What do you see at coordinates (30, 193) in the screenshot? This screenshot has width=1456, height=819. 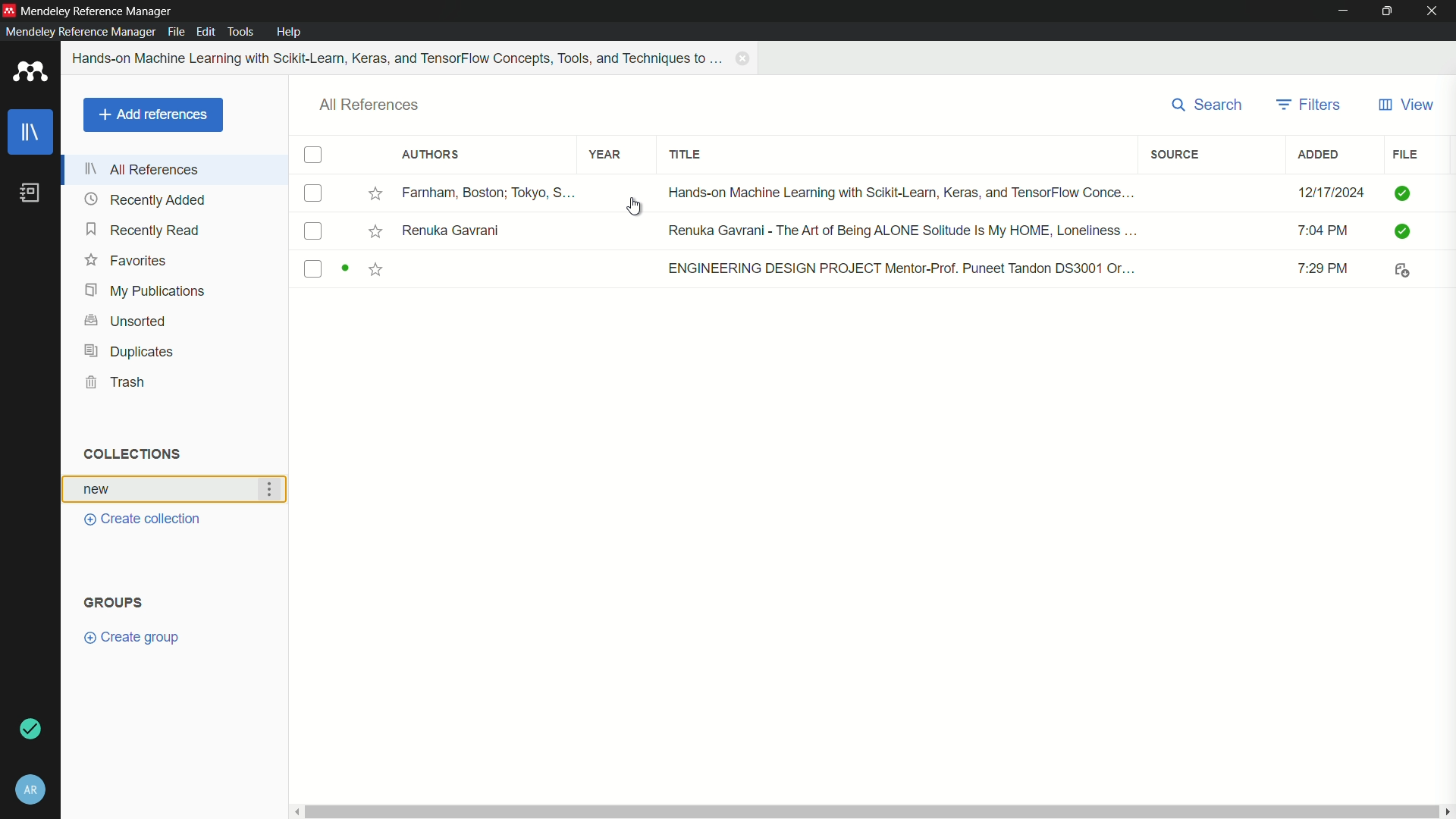 I see `book` at bounding box center [30, 193].